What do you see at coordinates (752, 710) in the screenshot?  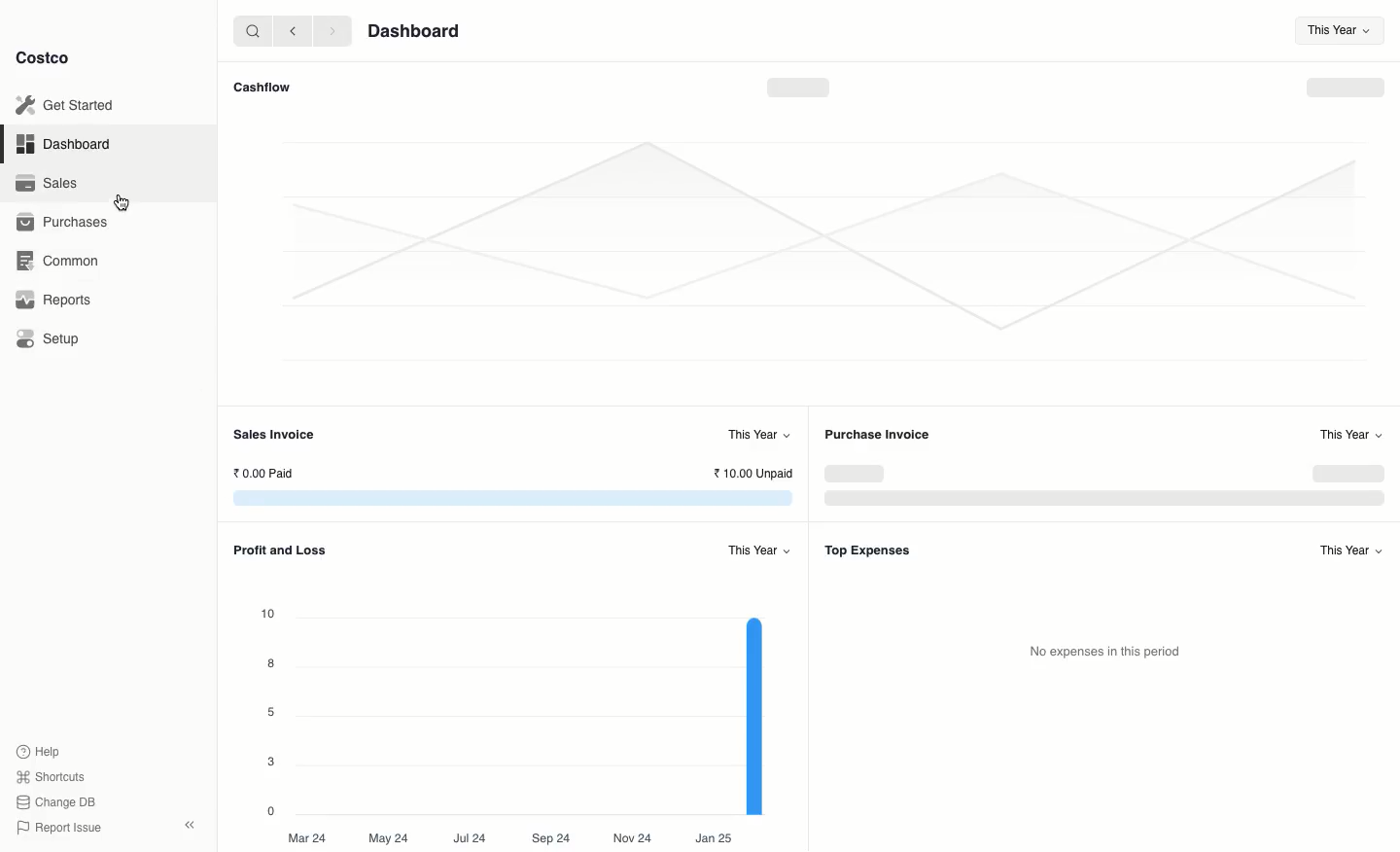 I see `graph` at bounding box center [752, 710].